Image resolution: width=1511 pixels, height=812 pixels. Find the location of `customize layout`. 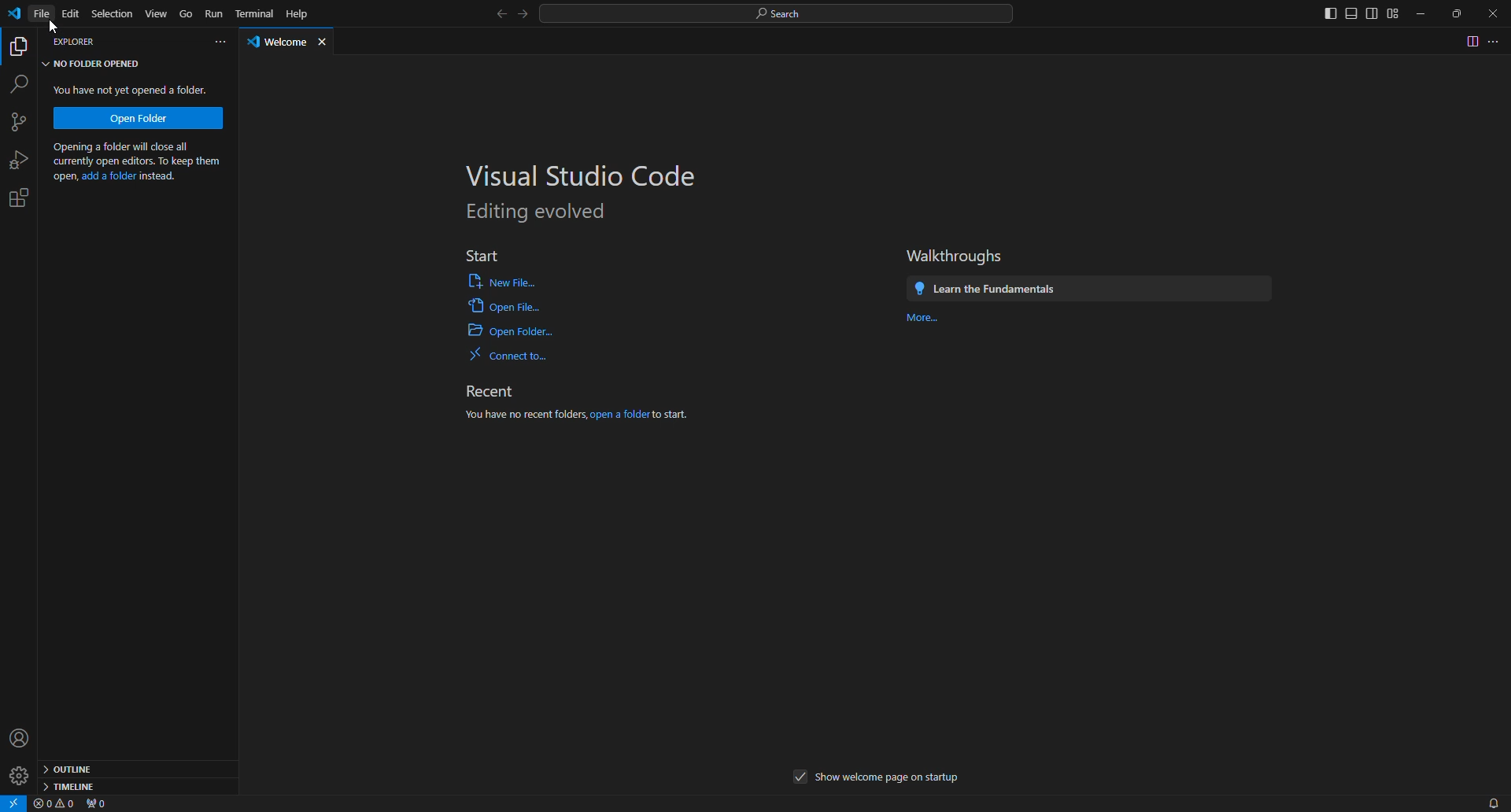

customize layout is located at coordinates (1395, 13).